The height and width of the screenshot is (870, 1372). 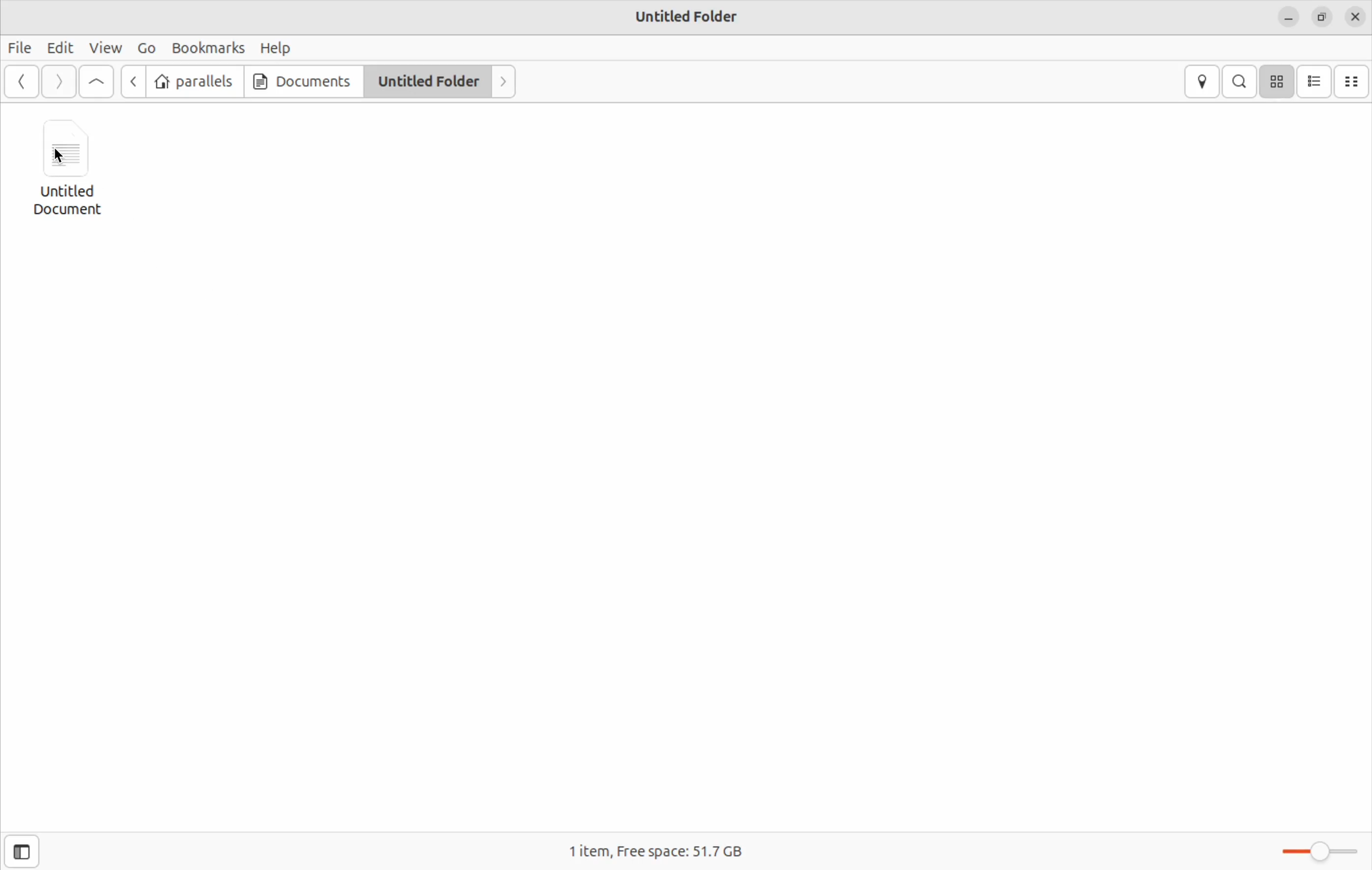 I want to click on minimize, so click(x=1289, y=21).